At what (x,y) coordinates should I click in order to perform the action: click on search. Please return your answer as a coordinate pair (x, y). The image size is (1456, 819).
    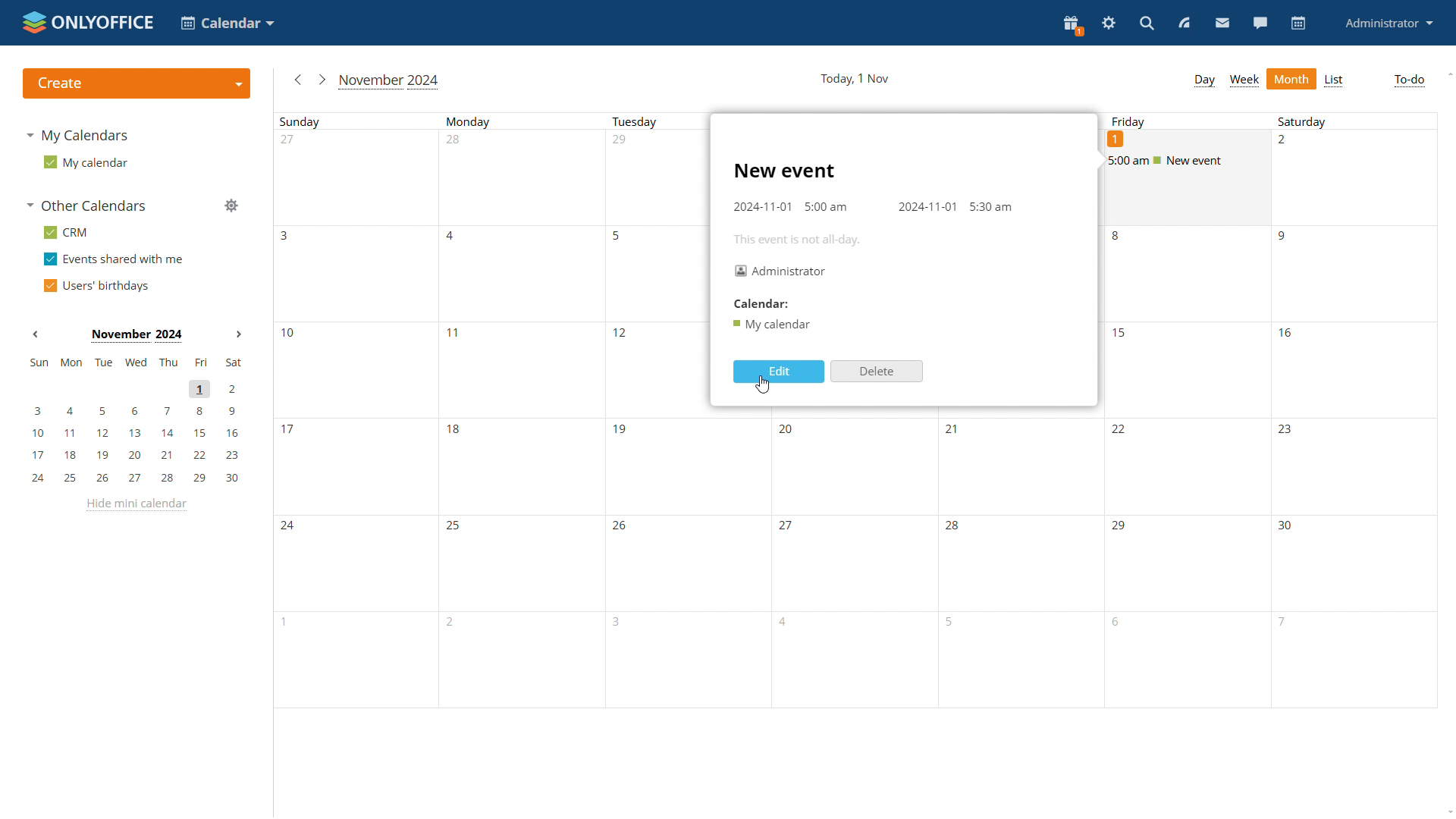
    Looking at the image, I should click on (1146, 24).